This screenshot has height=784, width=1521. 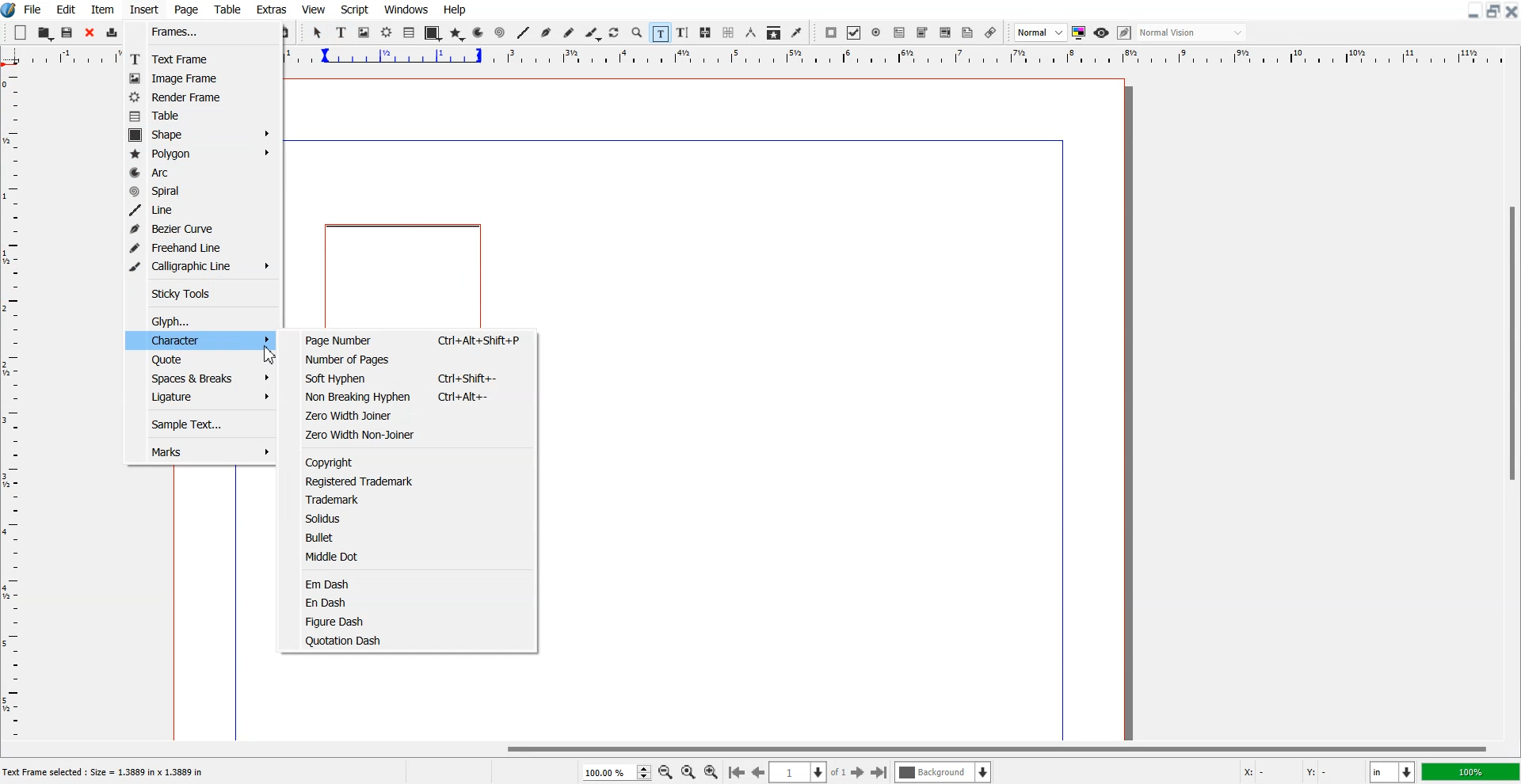 What do you see at coordinates (945, 772) in the screenshot?
I see `Select the current layer` at bounding box center [945, 772].